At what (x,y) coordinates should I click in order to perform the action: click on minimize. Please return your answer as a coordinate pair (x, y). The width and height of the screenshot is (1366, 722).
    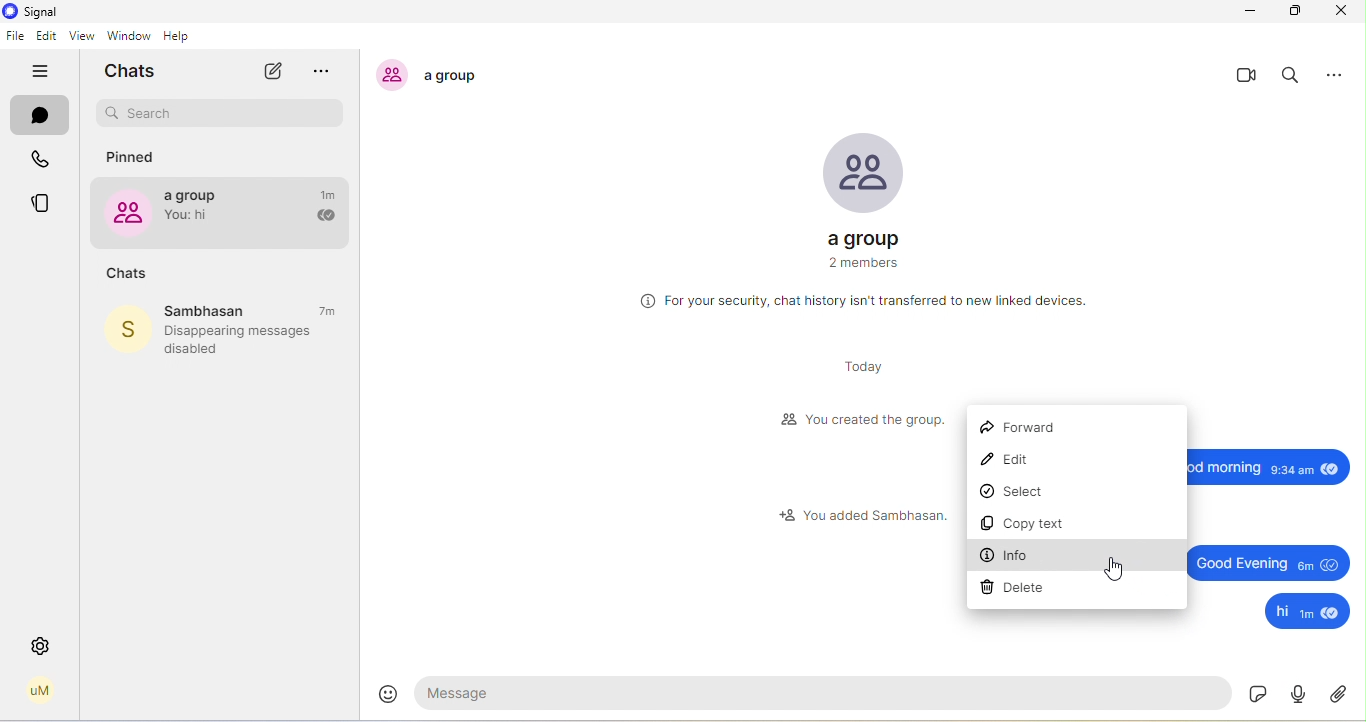
    Looking at the image, I should click on (1246, 12).